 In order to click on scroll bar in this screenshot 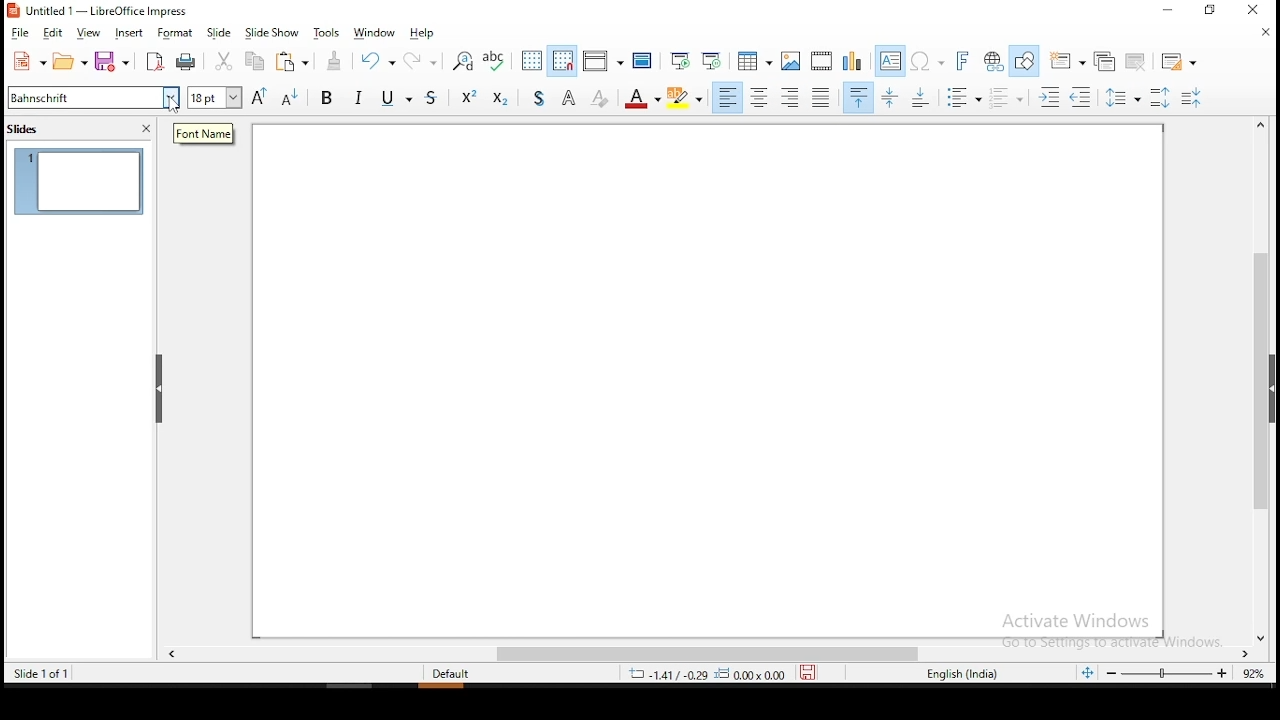, I will do `click(1268, 380)`.